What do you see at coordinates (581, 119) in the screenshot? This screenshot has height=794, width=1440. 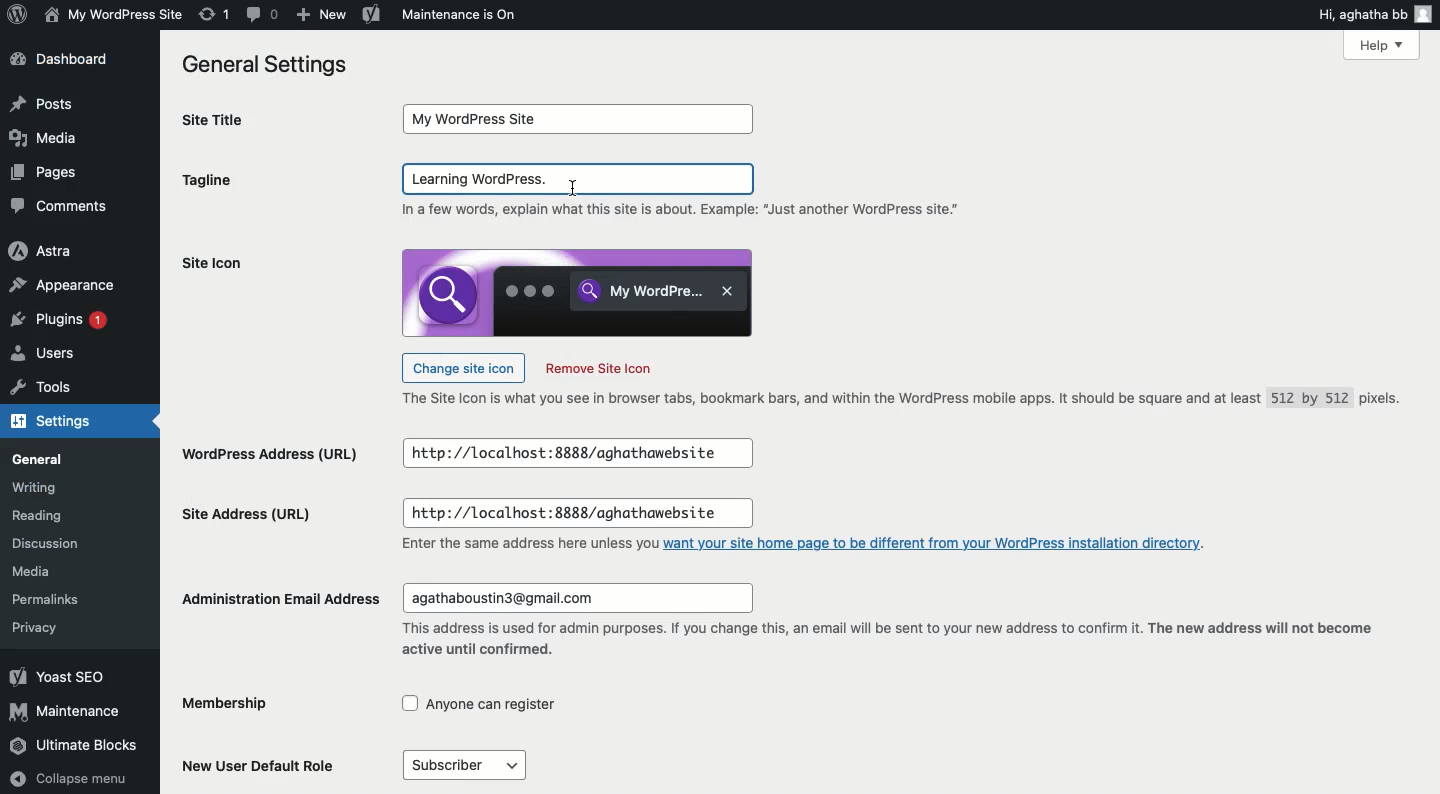 I see `input box` at bounding box center [581, 119].